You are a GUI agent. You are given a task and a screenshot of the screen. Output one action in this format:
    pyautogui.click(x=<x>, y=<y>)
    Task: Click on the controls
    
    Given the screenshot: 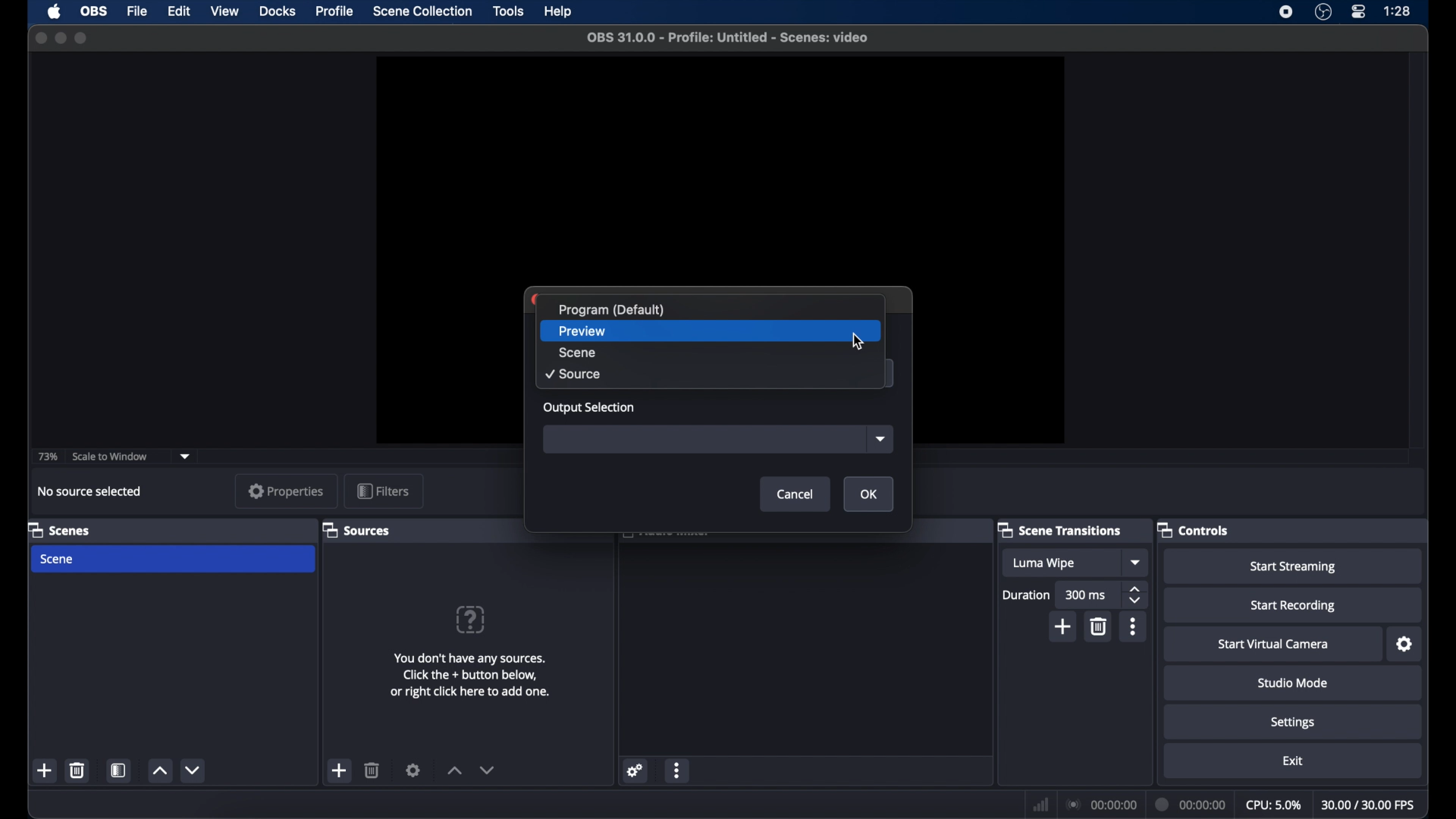 What is the action you would take?
    pyautogui.click(x=1195, y=530)
    